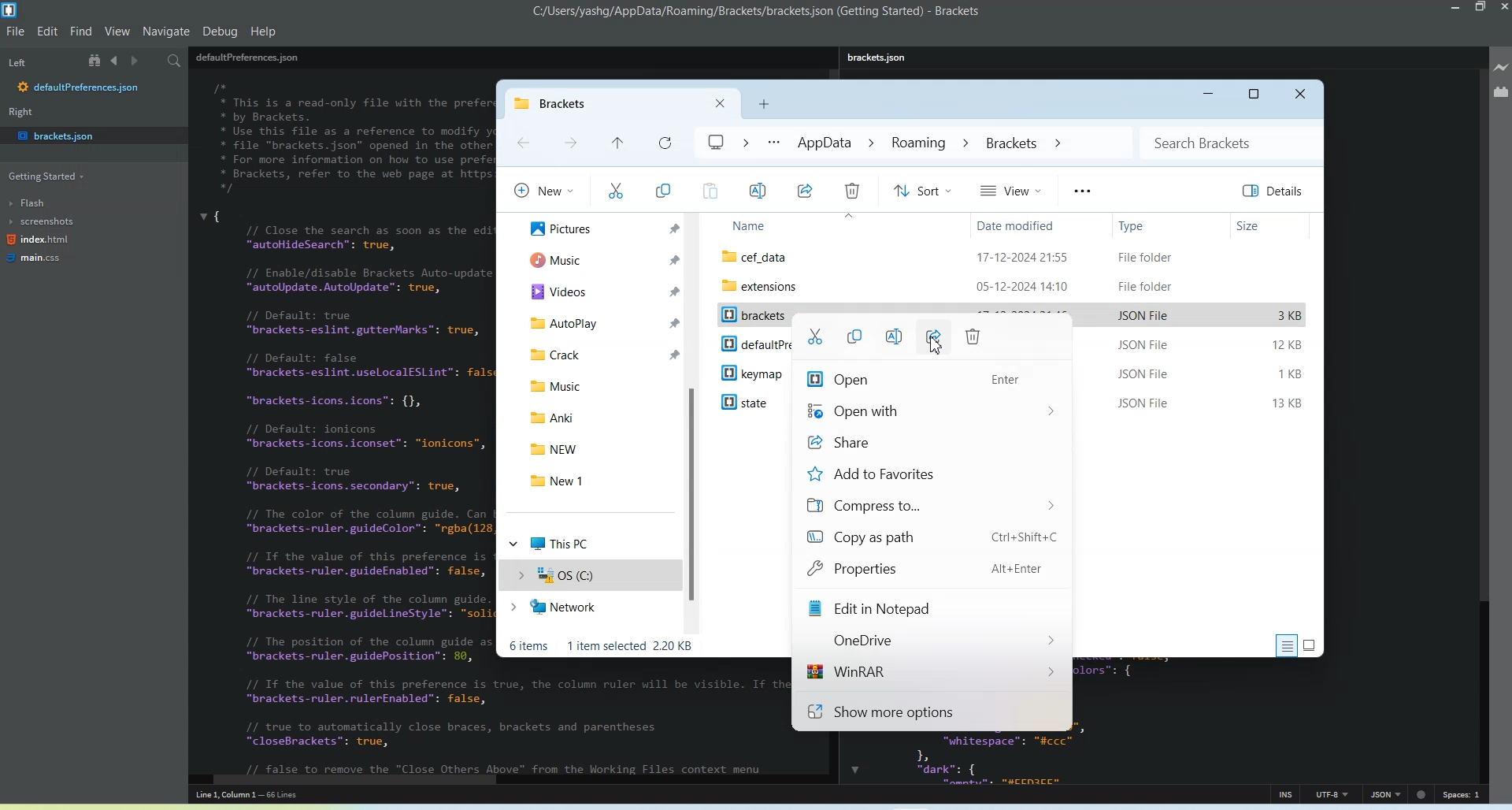  Describe the element at coordinates (596, 353) in the screenshot. I see `Crack` at that location.